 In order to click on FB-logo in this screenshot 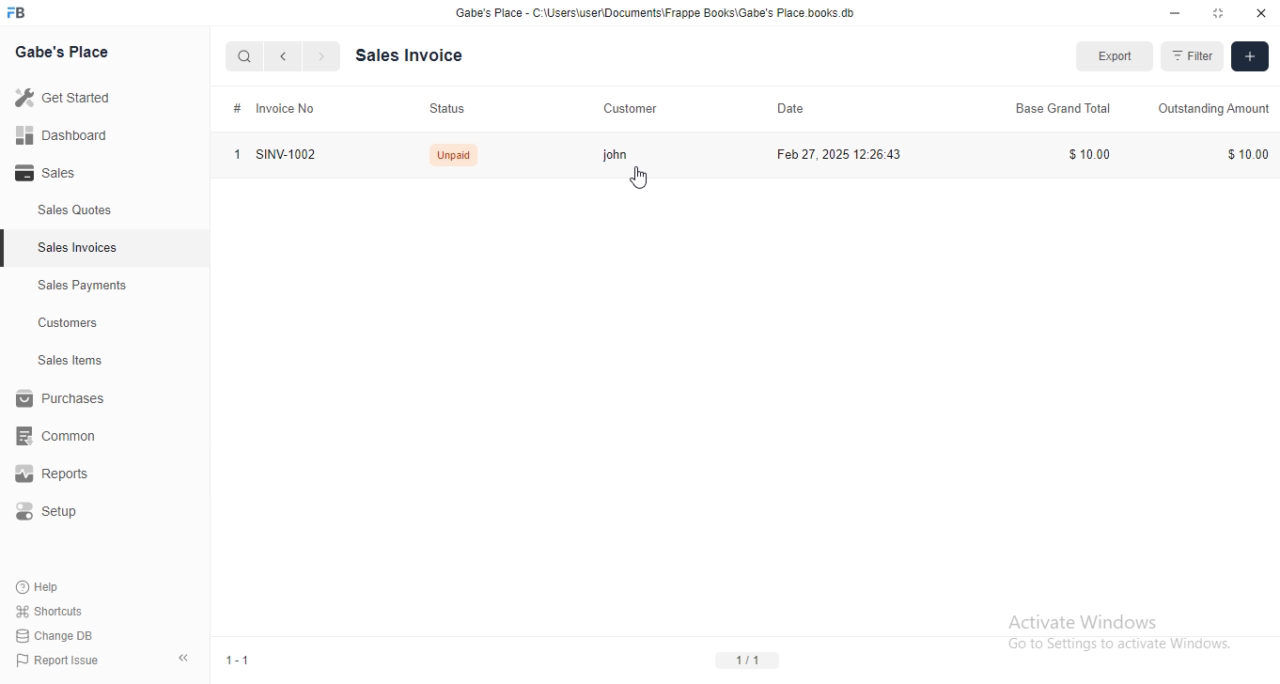, I will do `click(15, 12)`.